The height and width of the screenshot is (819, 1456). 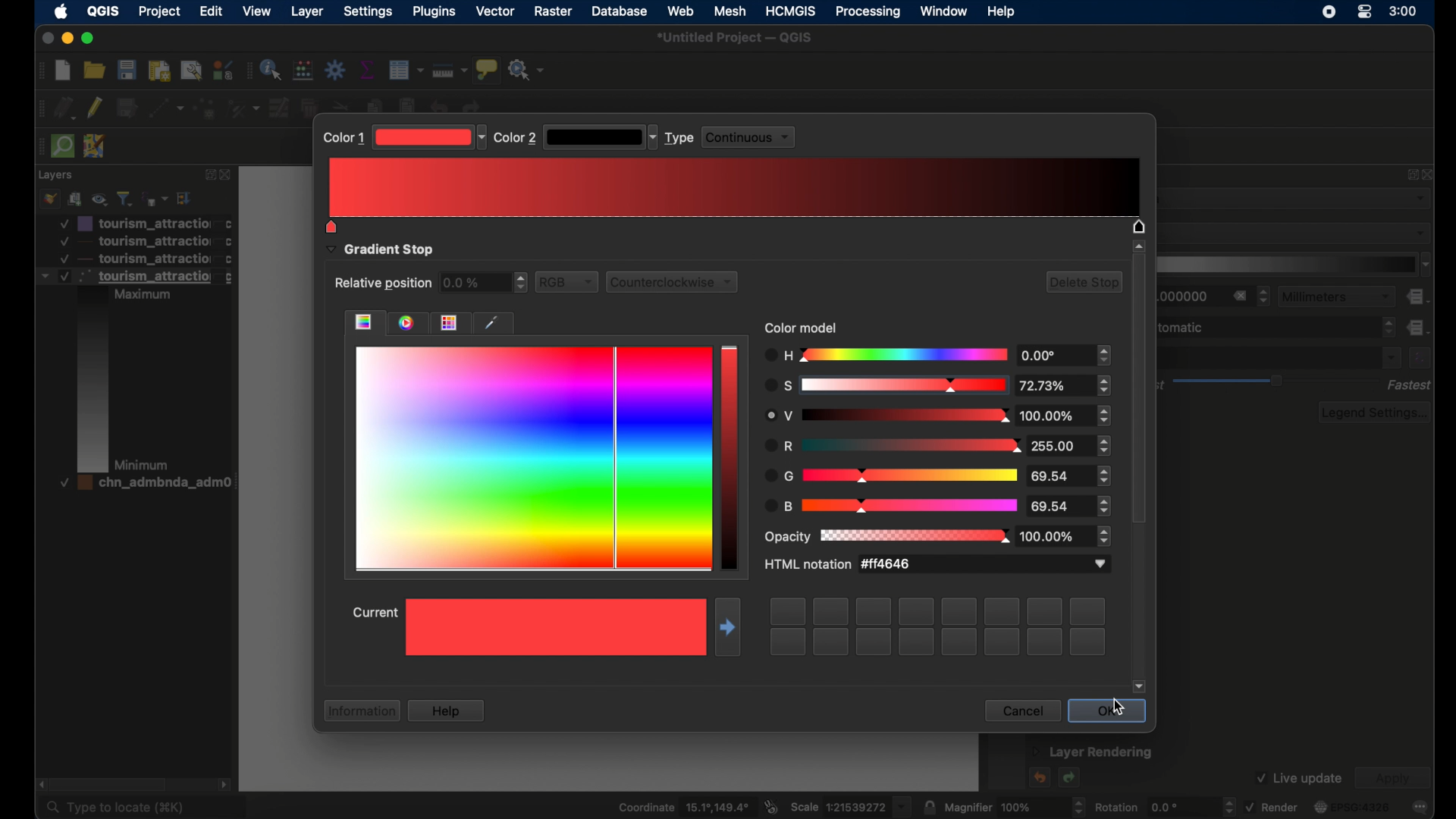 I want to click on lock scale, so click(x=929, y=806).